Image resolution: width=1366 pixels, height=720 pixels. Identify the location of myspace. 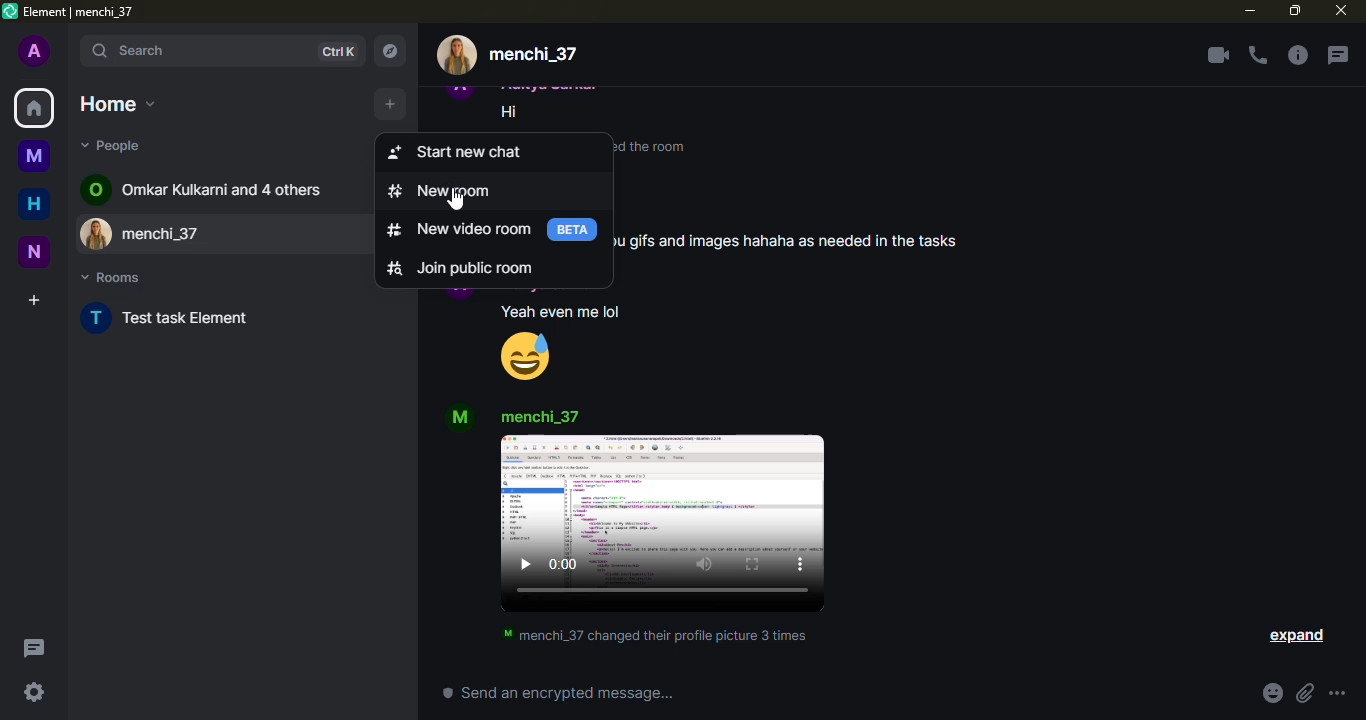
(34, 155).